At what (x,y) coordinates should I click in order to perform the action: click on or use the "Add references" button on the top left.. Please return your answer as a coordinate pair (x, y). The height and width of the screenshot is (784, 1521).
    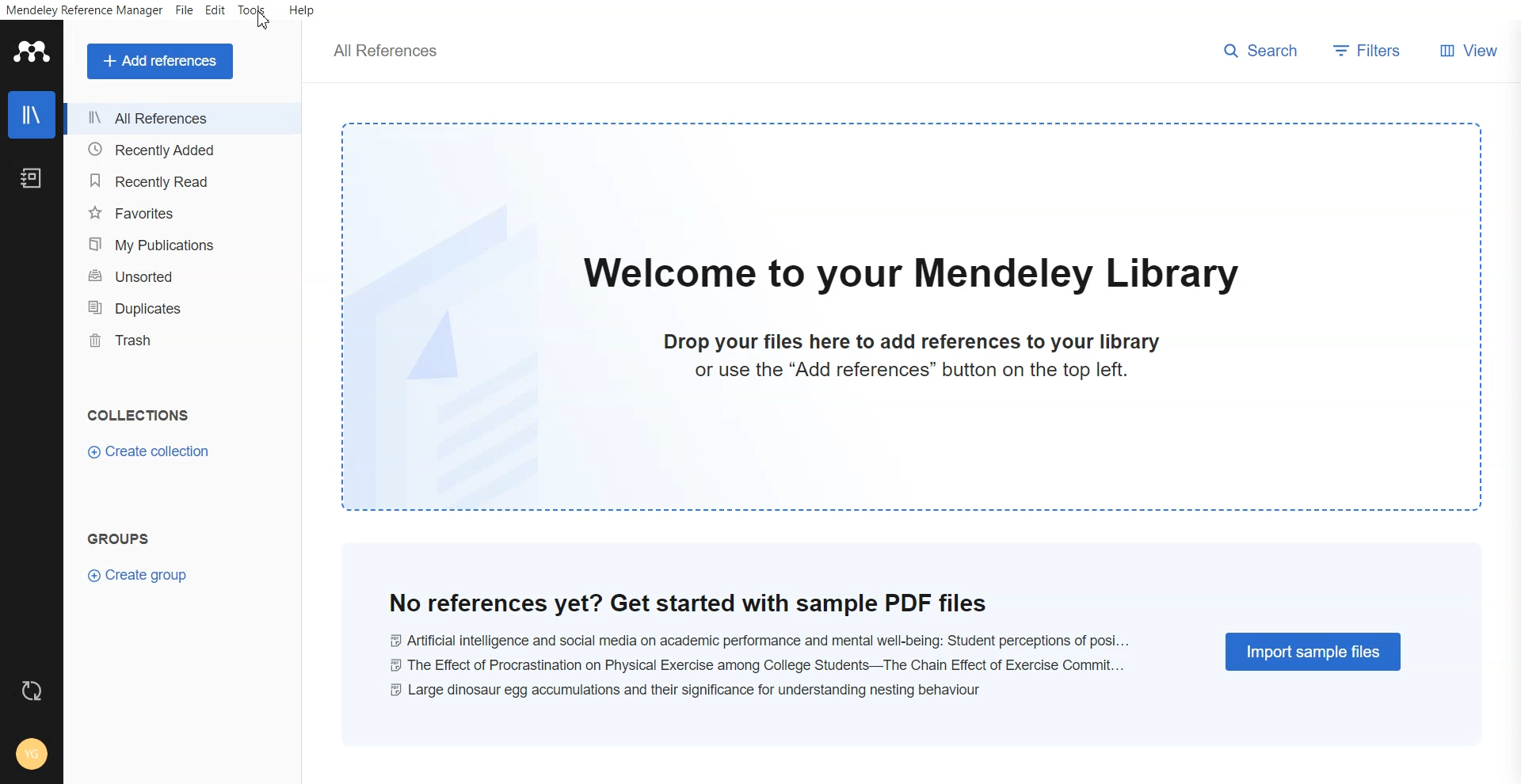
    Looking at the image, I should click on (911, 370).